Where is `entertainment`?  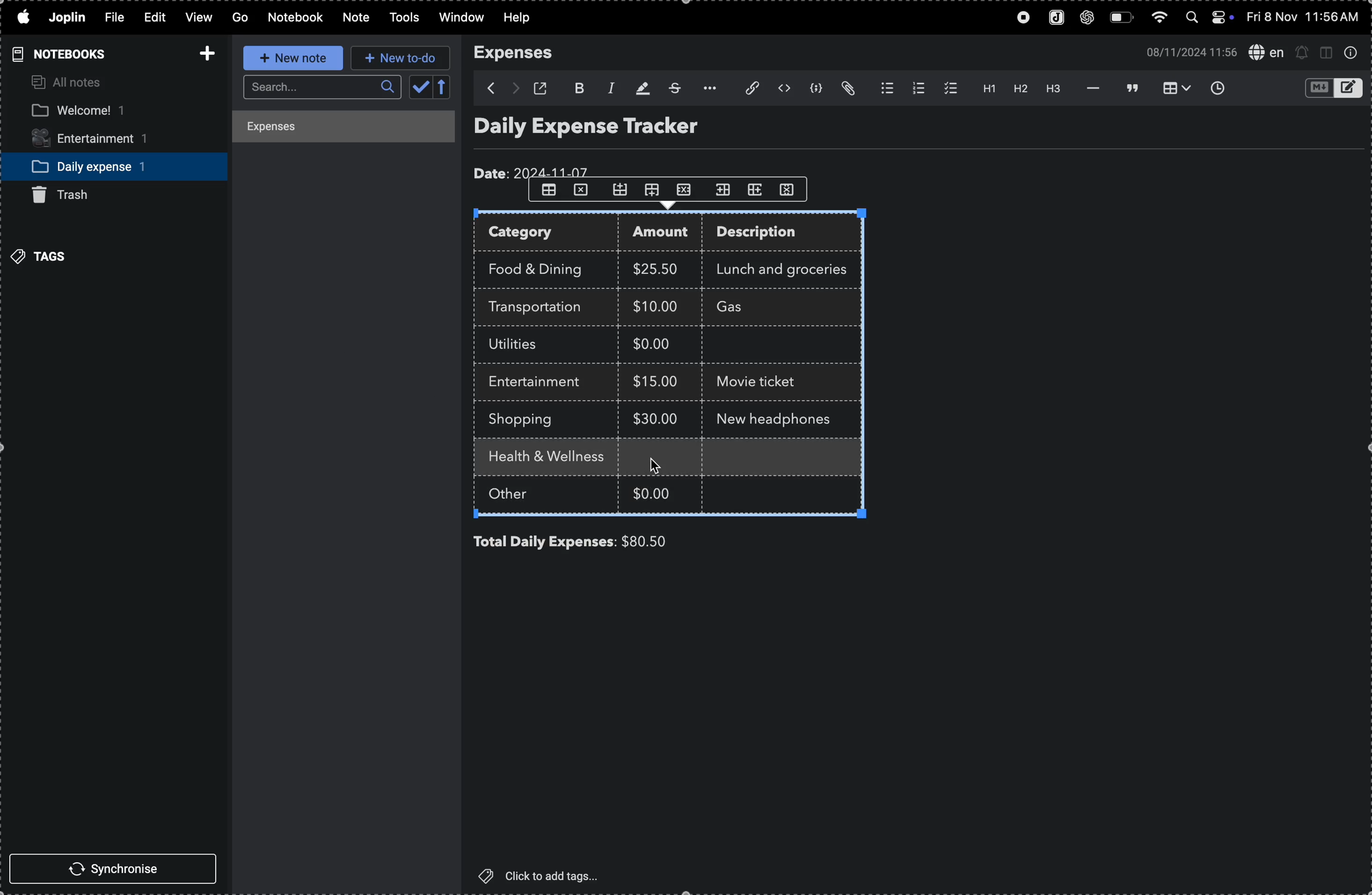
entertainment is located at coordinates (541, 382).